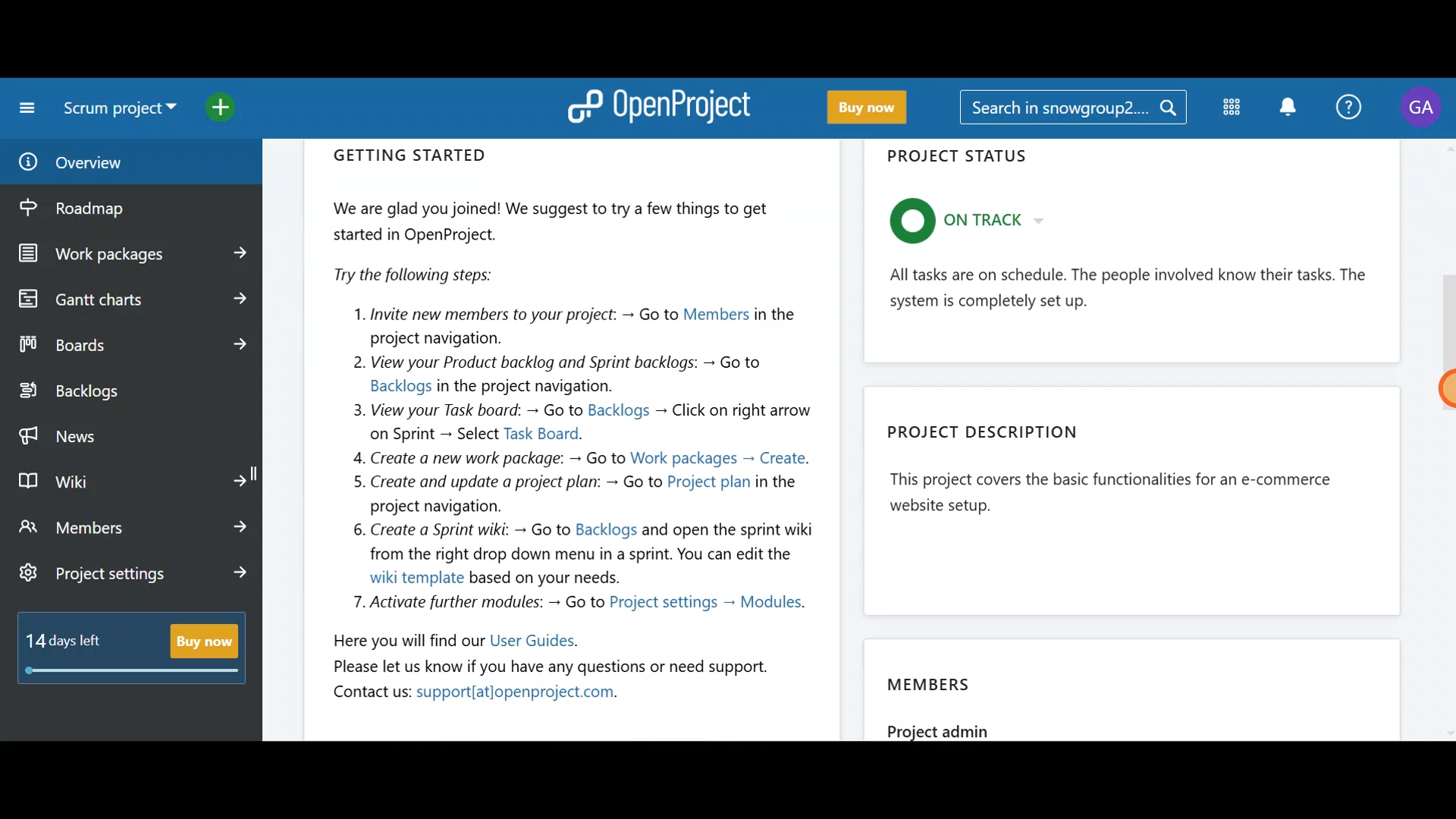 The height and width of the screenshot is (819, 1456). I want to click on Project settings, so click(135, 576).